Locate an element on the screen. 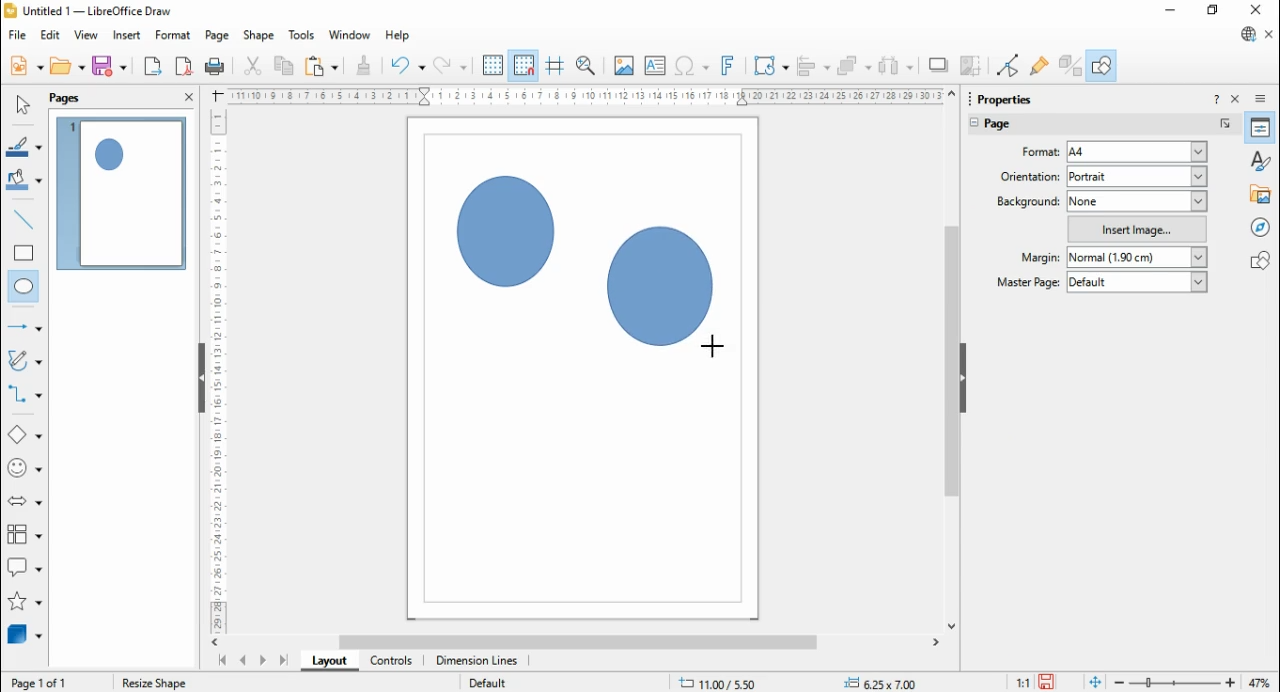 Image resolution: width=1280 pixels, height=692 pixels. Resize shape is located at coordinates (154, 680).